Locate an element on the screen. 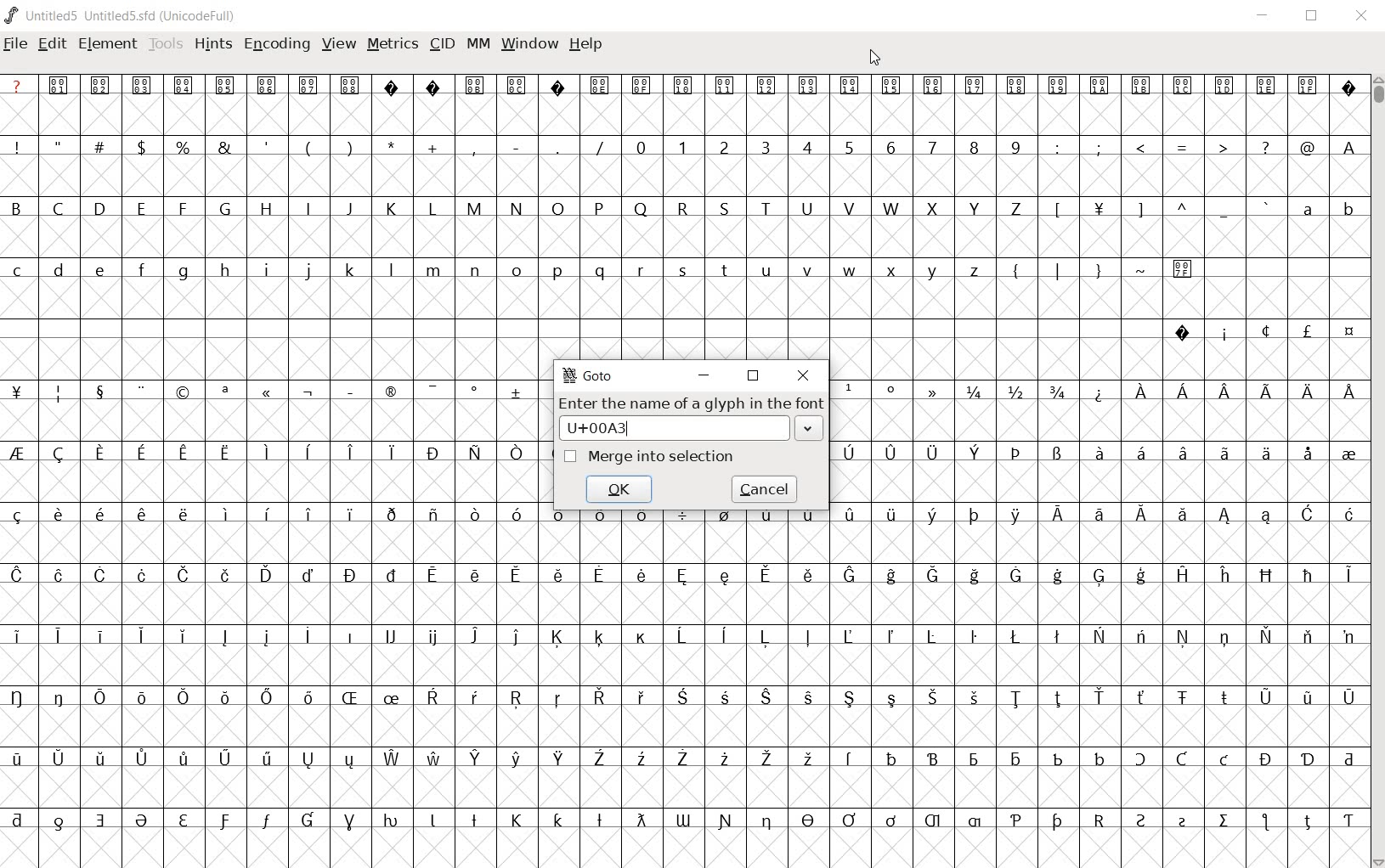  Symbol is located at coordinates (350, 759).